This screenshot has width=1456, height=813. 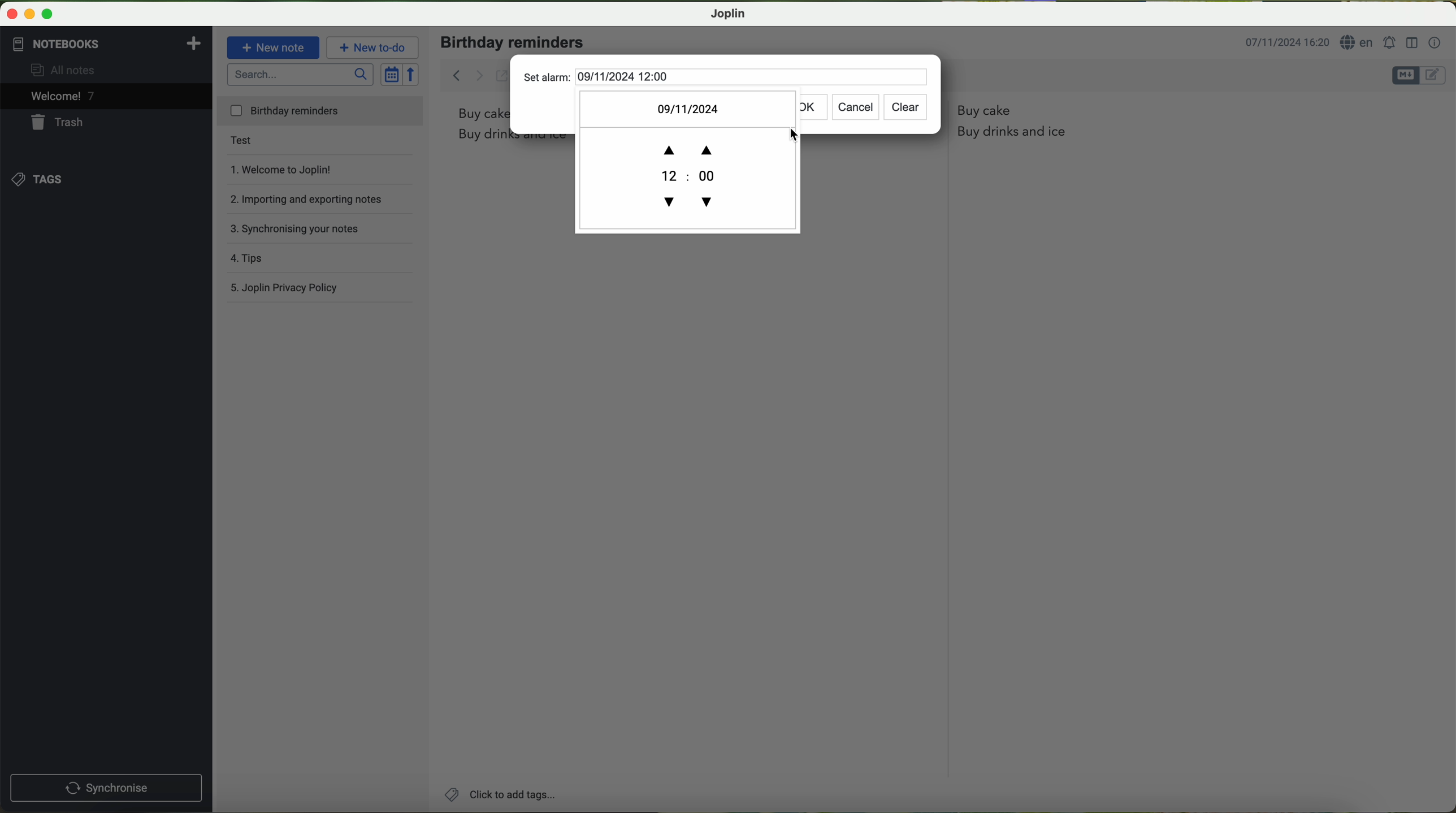 What do you see at coordinates (909, 104) in the screenshot?
I see `clear` at bounding box center [909, 104].